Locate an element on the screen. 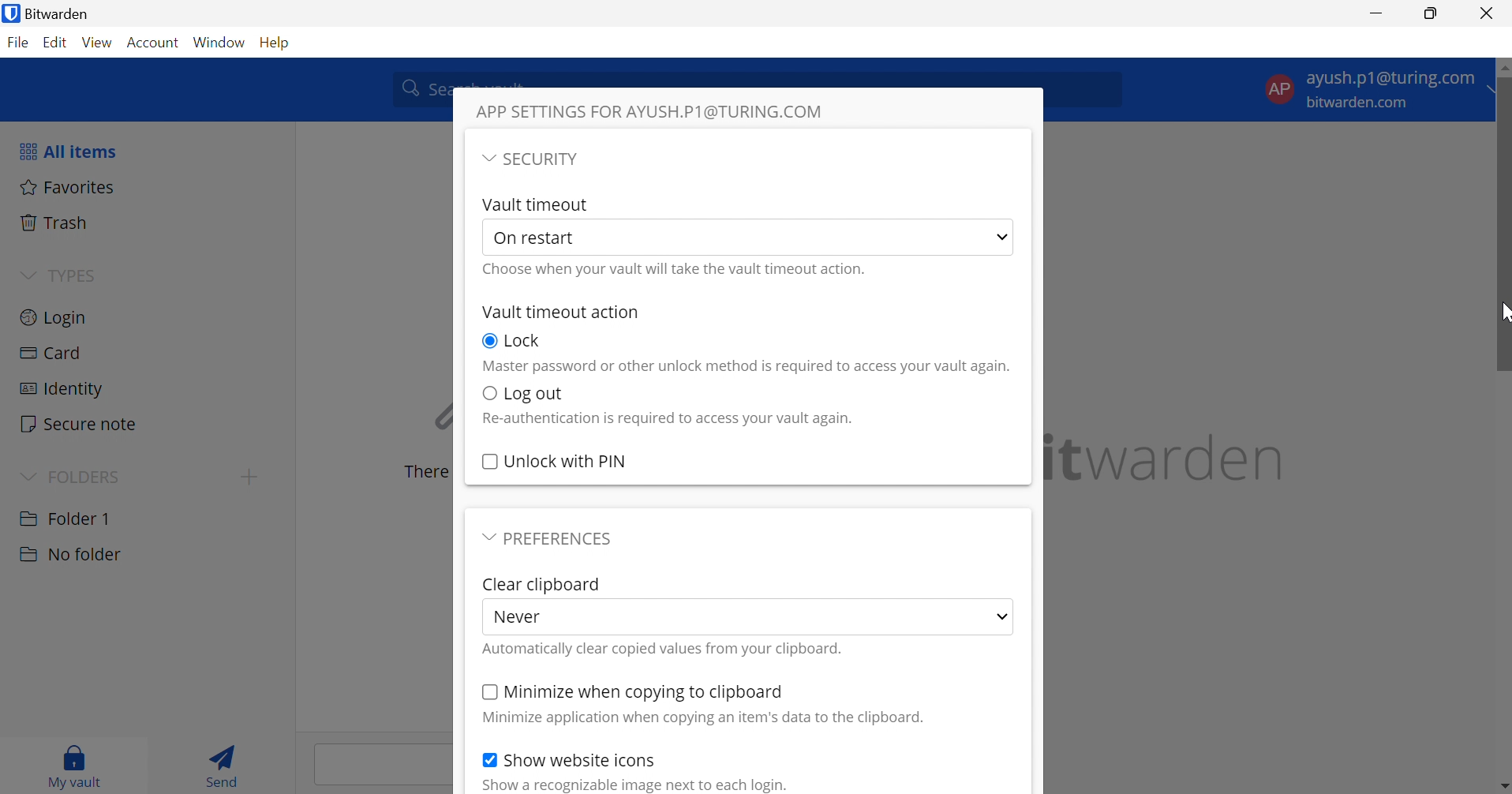 The height and width of the screenshot is (794, 1512). Add folder is located at coordinates (249, 477).